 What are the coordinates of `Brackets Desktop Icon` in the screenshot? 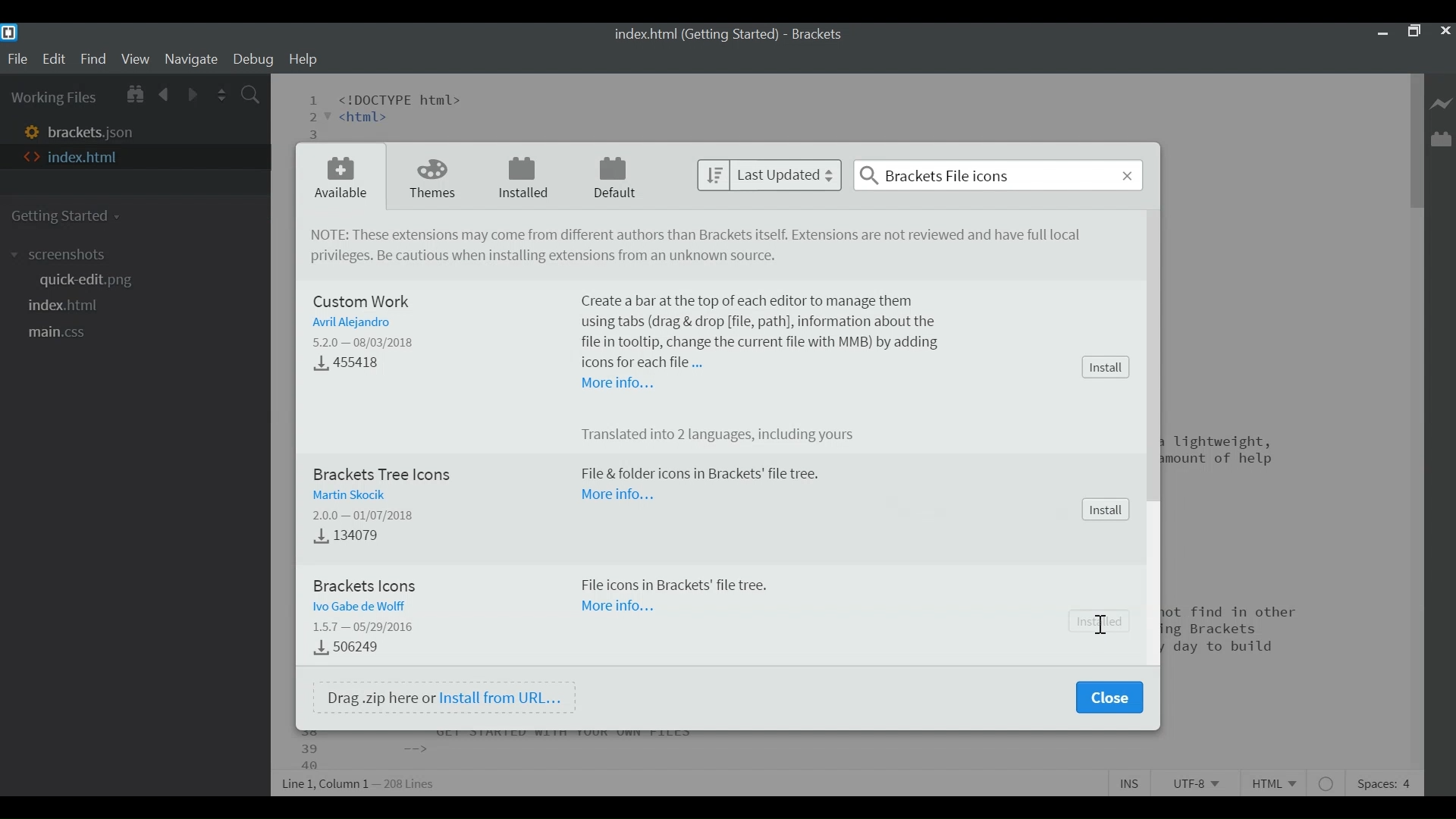 It's located at (12, 33).